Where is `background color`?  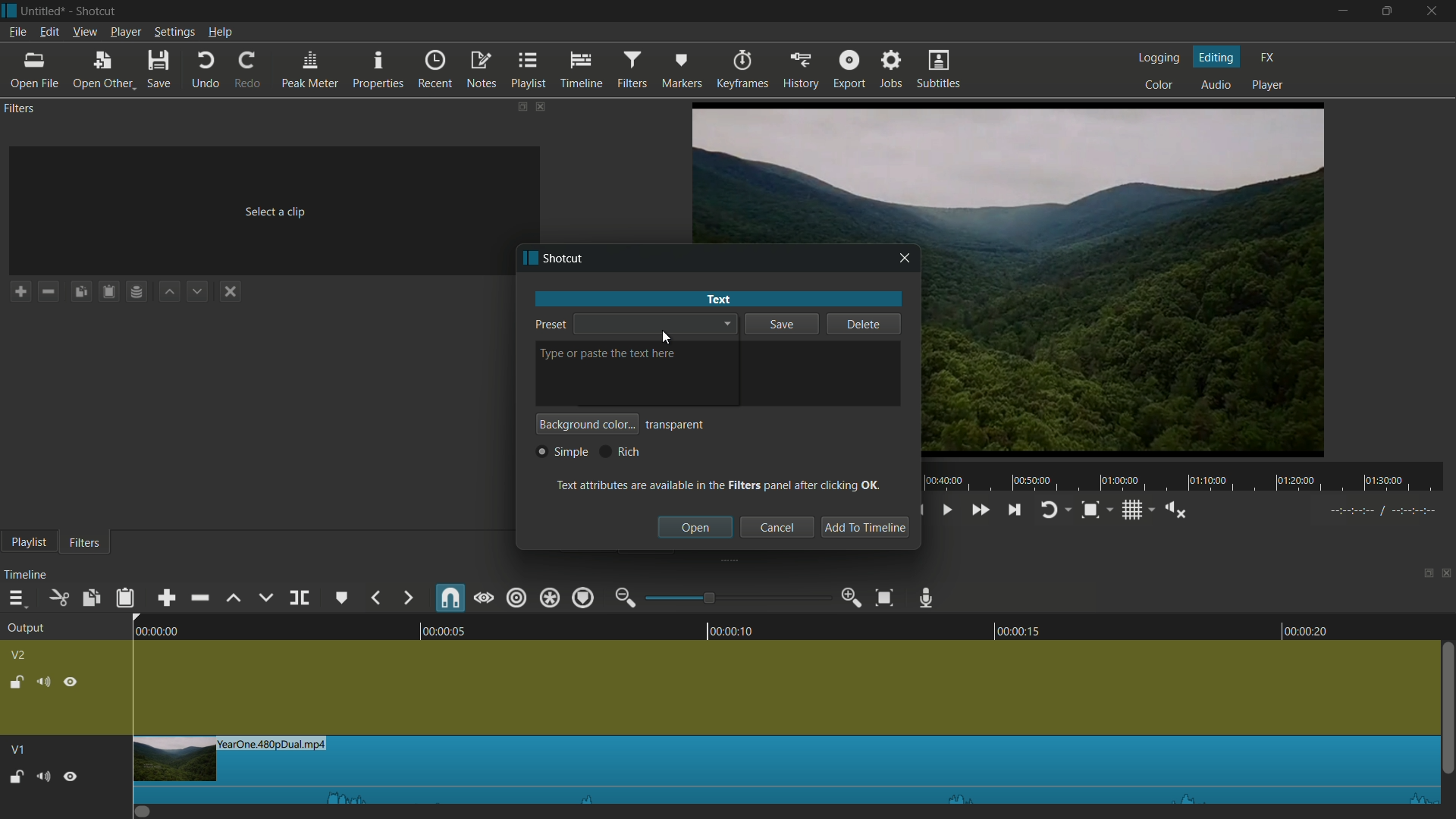
background color is located at coordinates (587, 424).